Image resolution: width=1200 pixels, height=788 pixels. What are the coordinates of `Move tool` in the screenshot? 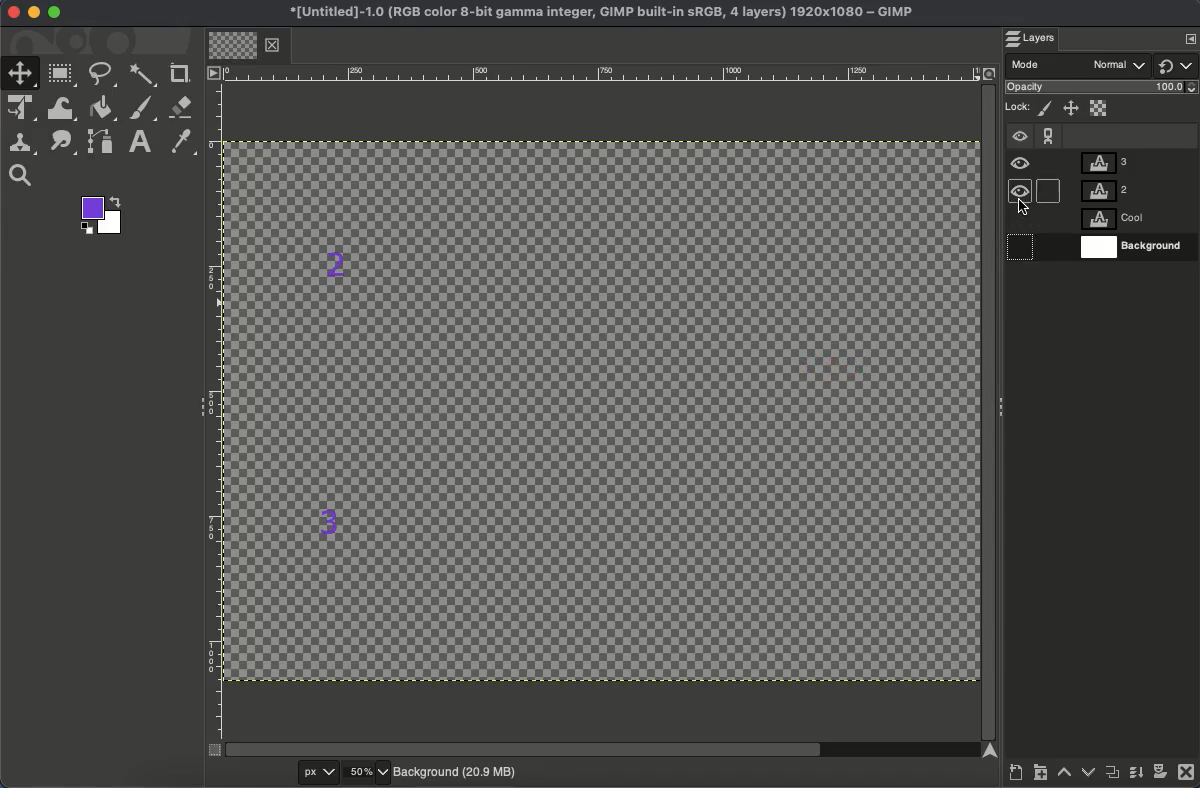 It's located at (21, 72).